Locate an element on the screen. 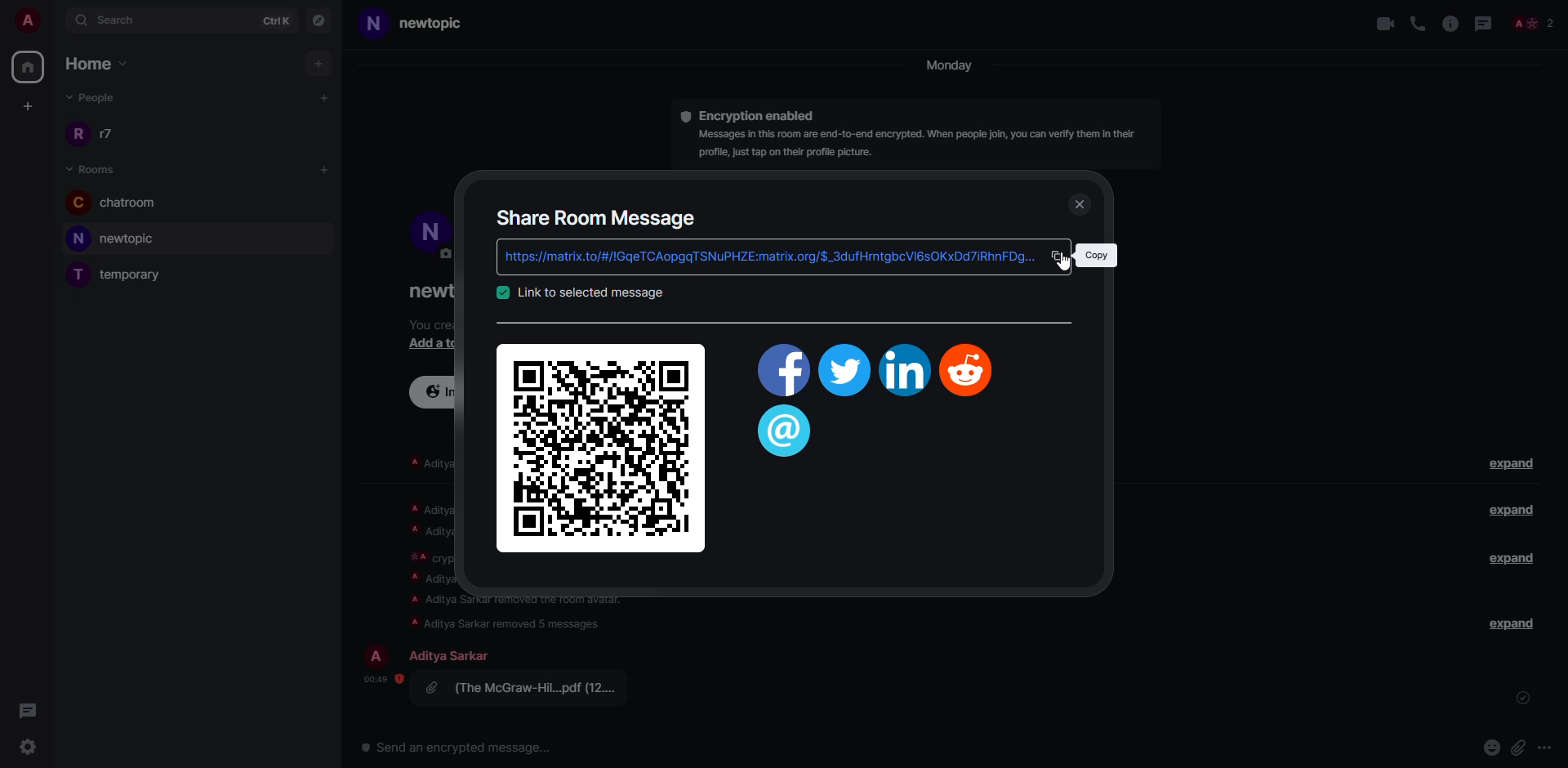  chatroom is located at coordinates (121, 203).